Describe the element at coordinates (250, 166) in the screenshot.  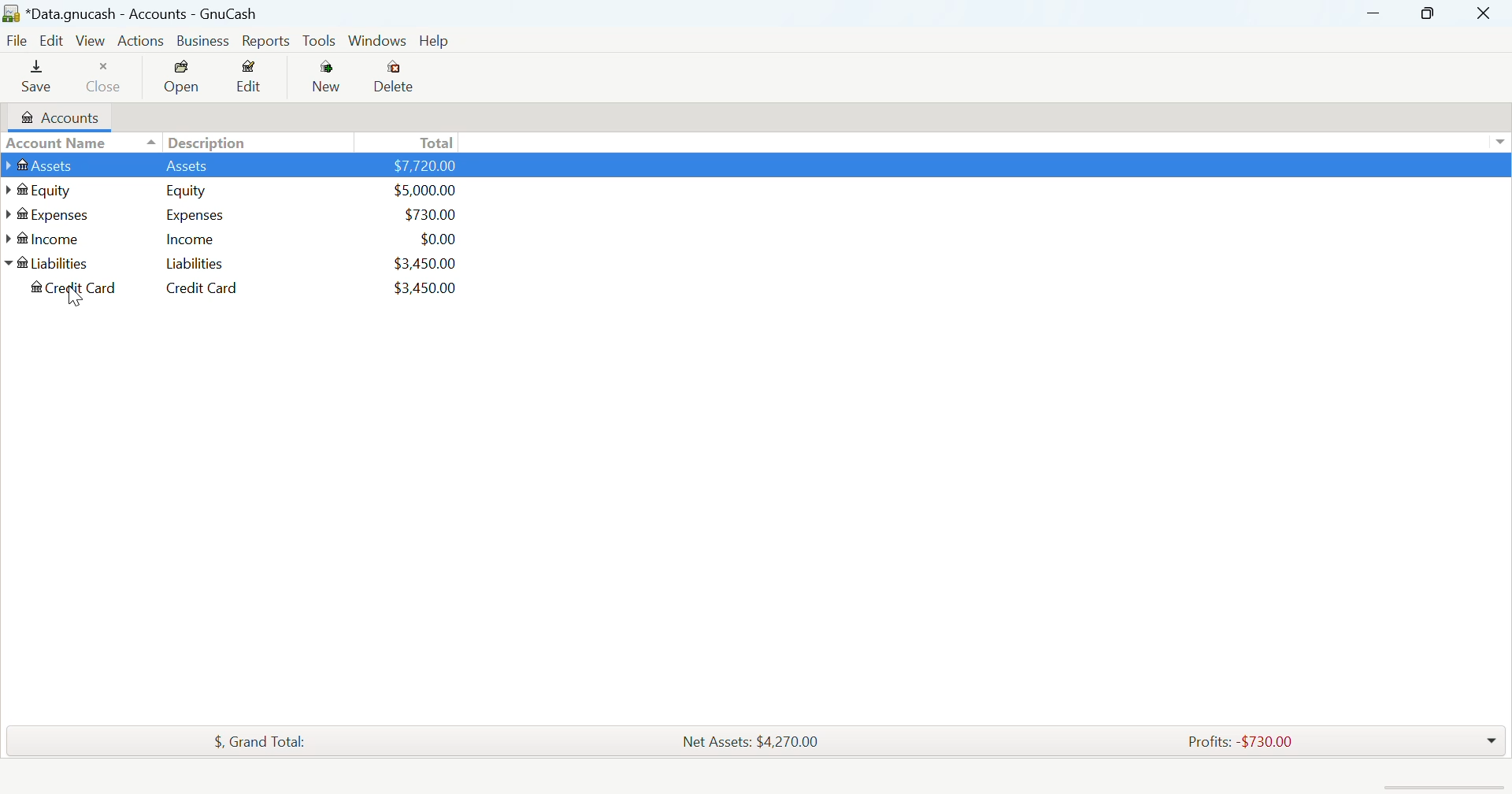
I see `Assets Assets $7,720.00` at that location.